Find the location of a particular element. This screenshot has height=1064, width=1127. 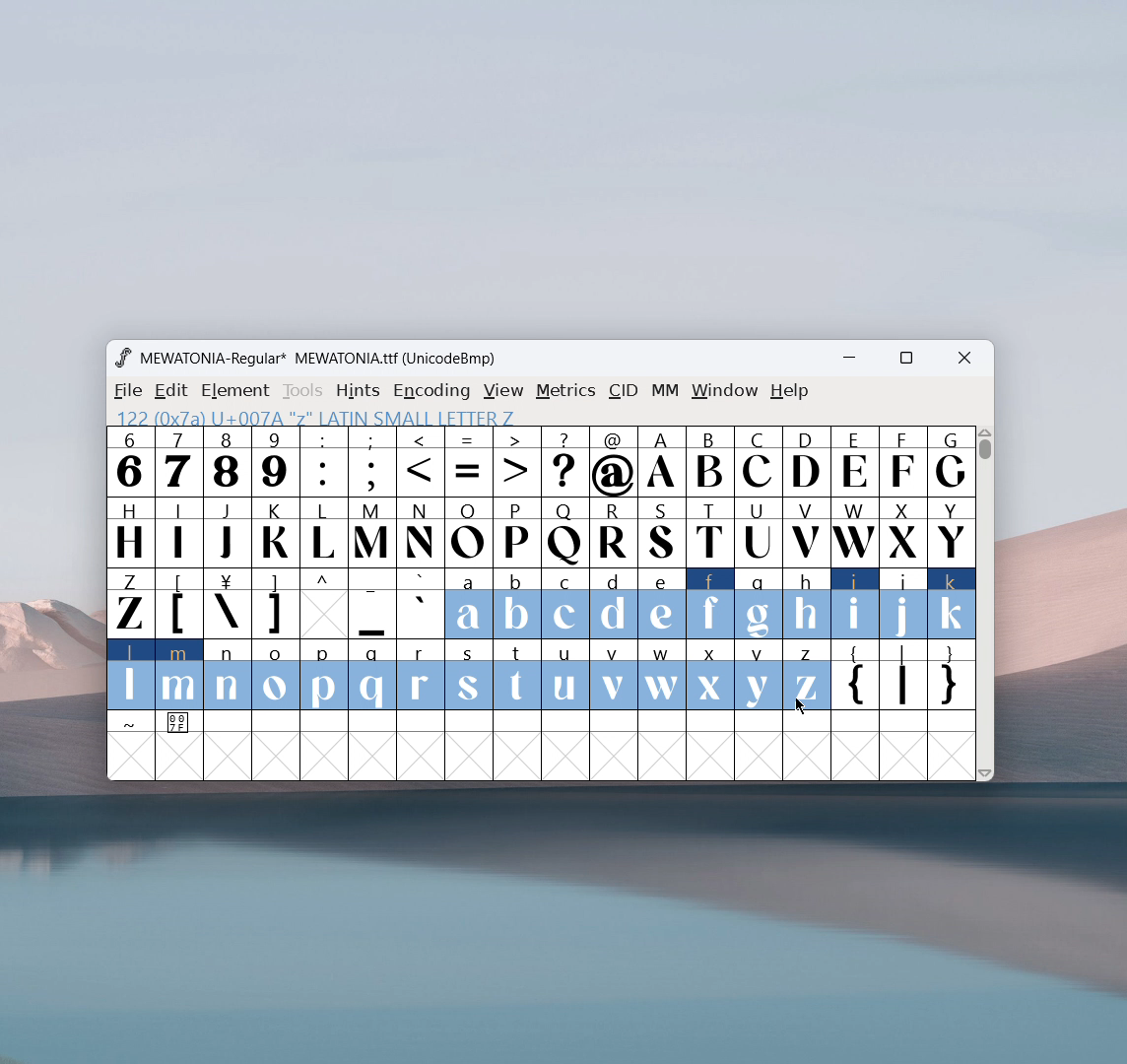

_ is located at coordinates (372, 604).